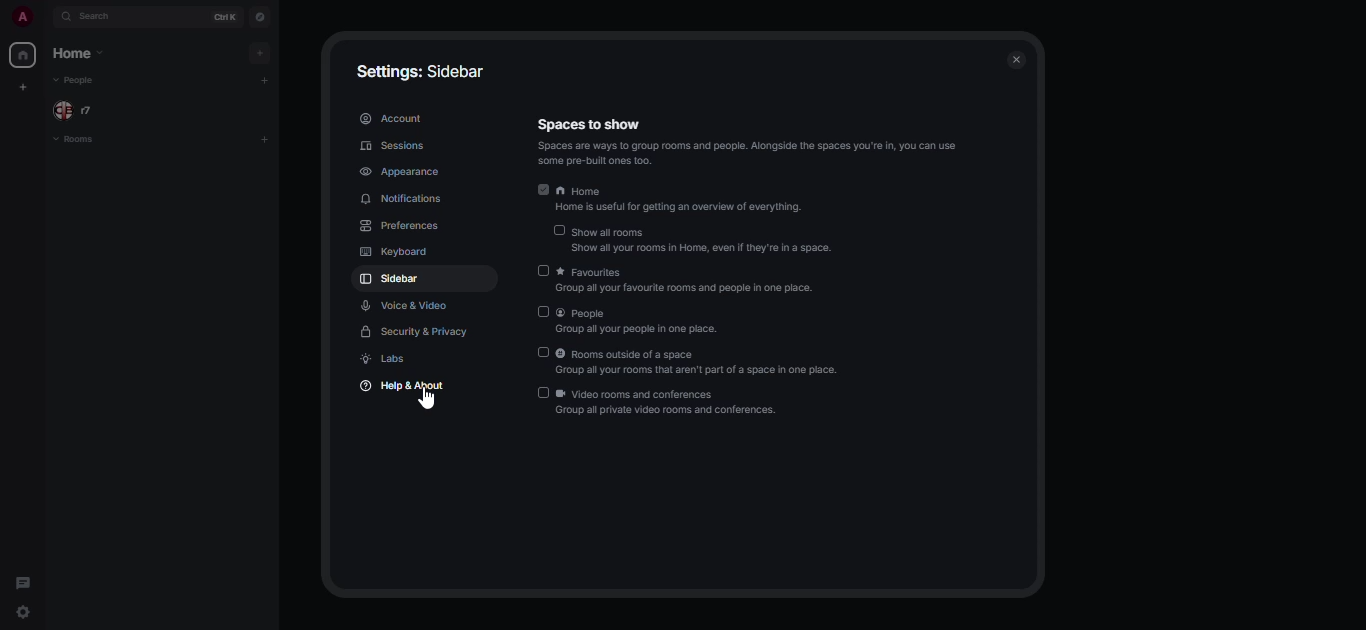 The image size is (1366, 630). Describe the element at coordinates (83, 140) in the screenshot. I see `rooms` at that location.